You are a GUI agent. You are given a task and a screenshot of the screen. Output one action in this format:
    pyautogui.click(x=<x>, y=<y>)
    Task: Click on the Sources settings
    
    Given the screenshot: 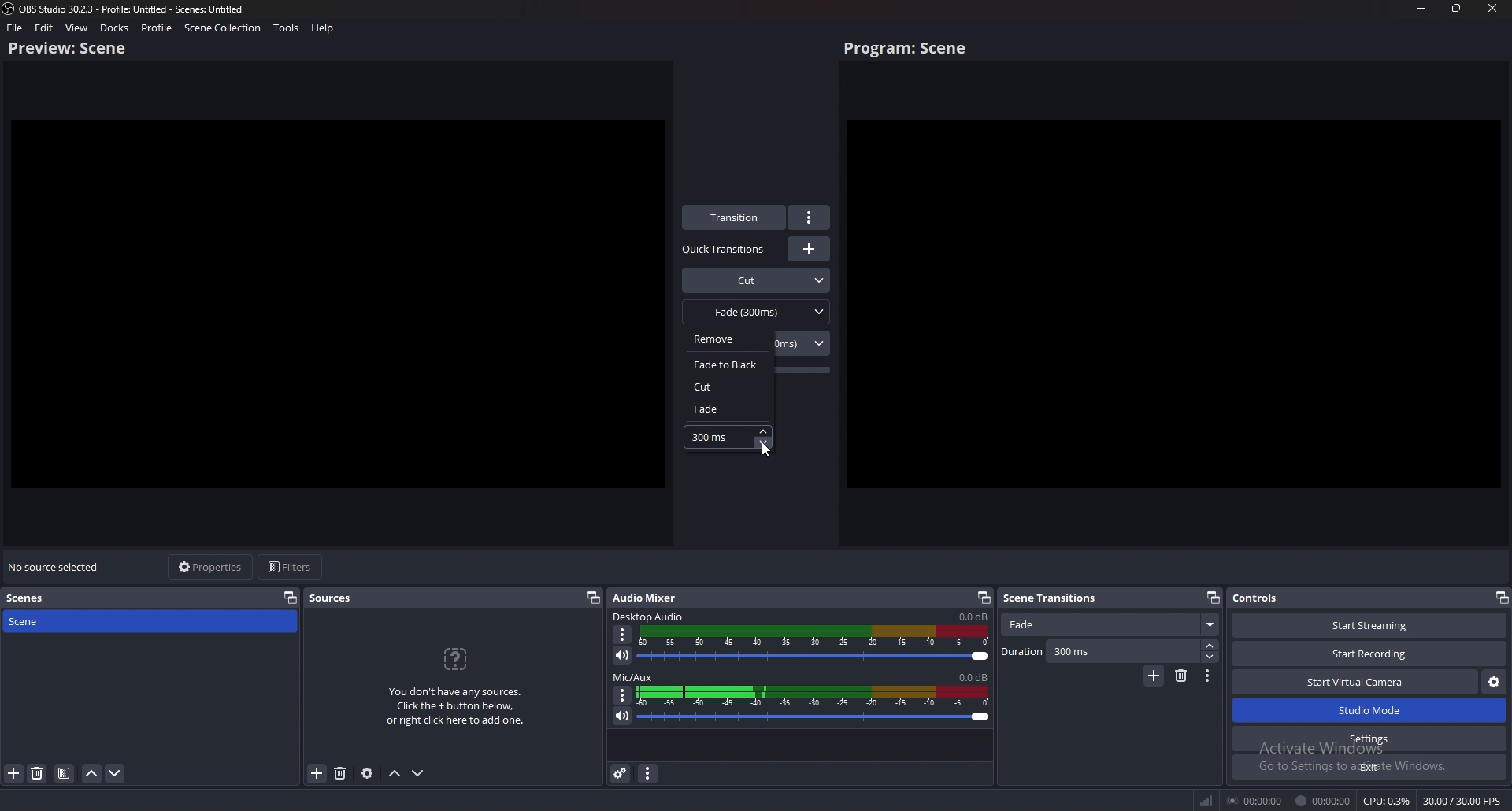 What is the action you would take?
    pyautogui.click(x=368, y=773)
    